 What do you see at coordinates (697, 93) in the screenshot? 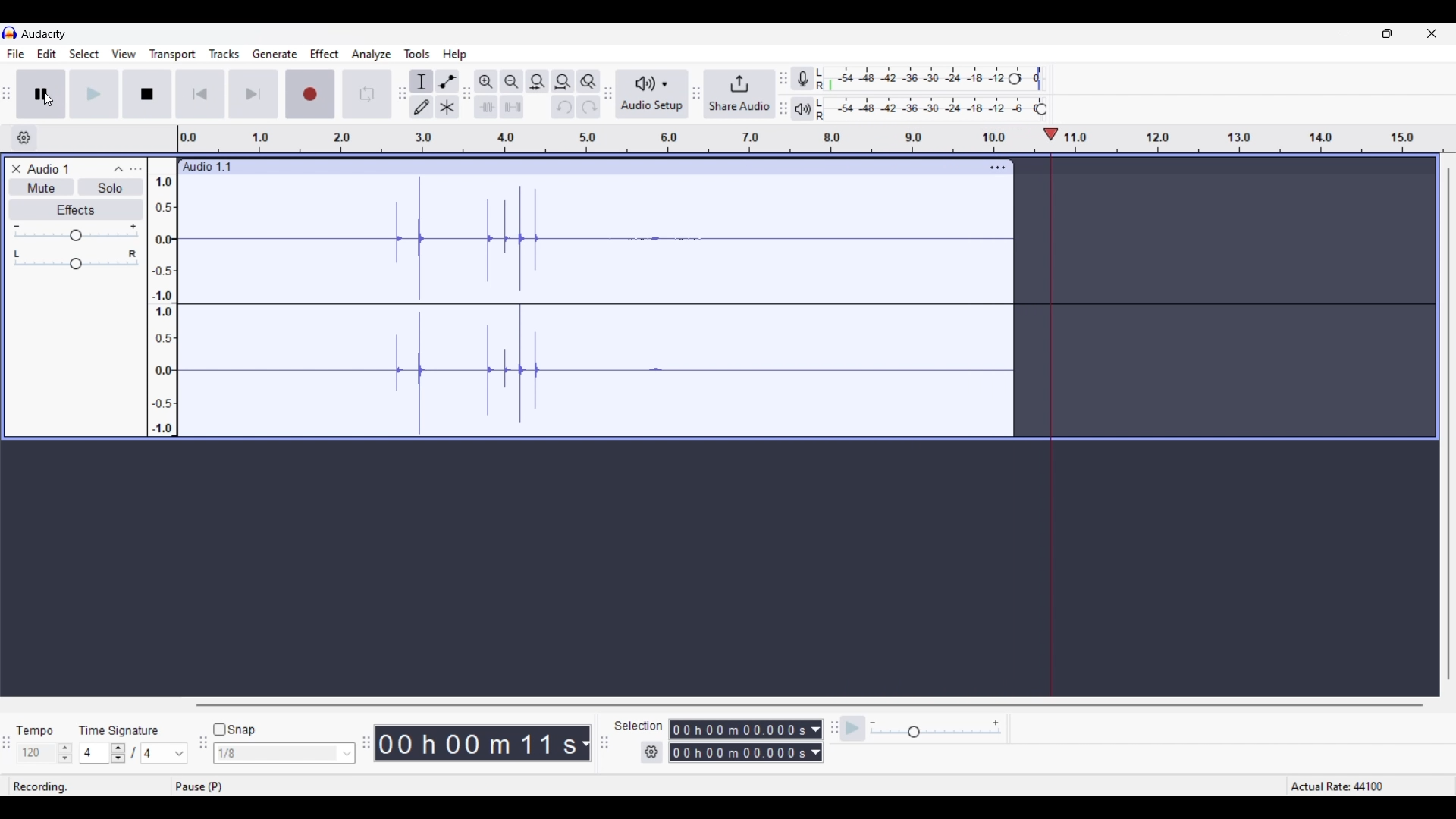
I see `toolbar` at bounding box center [697, 93].